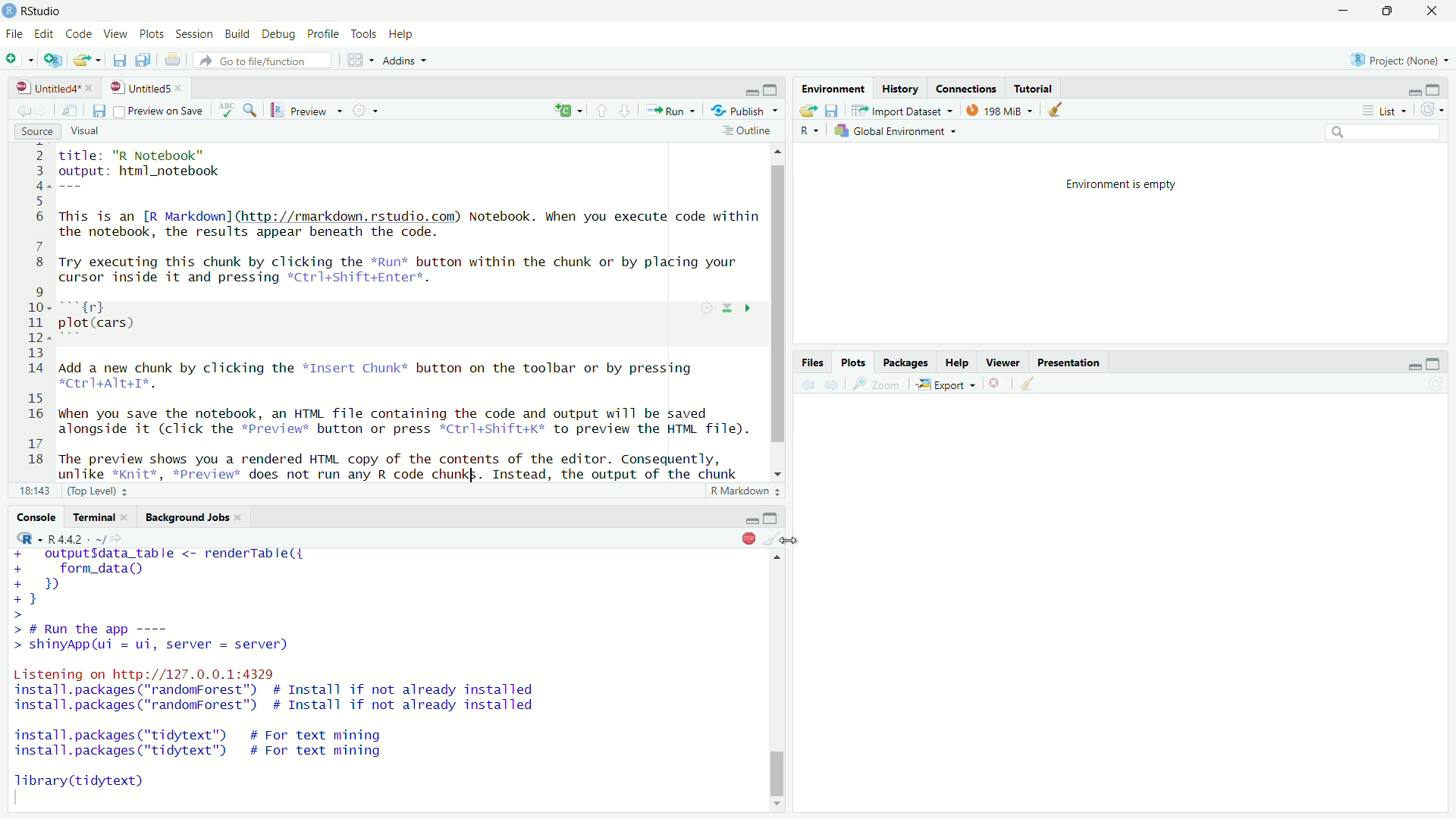  Describe the element at coordinates (831, 385) in the screenshot. I see `move forward` at that location.